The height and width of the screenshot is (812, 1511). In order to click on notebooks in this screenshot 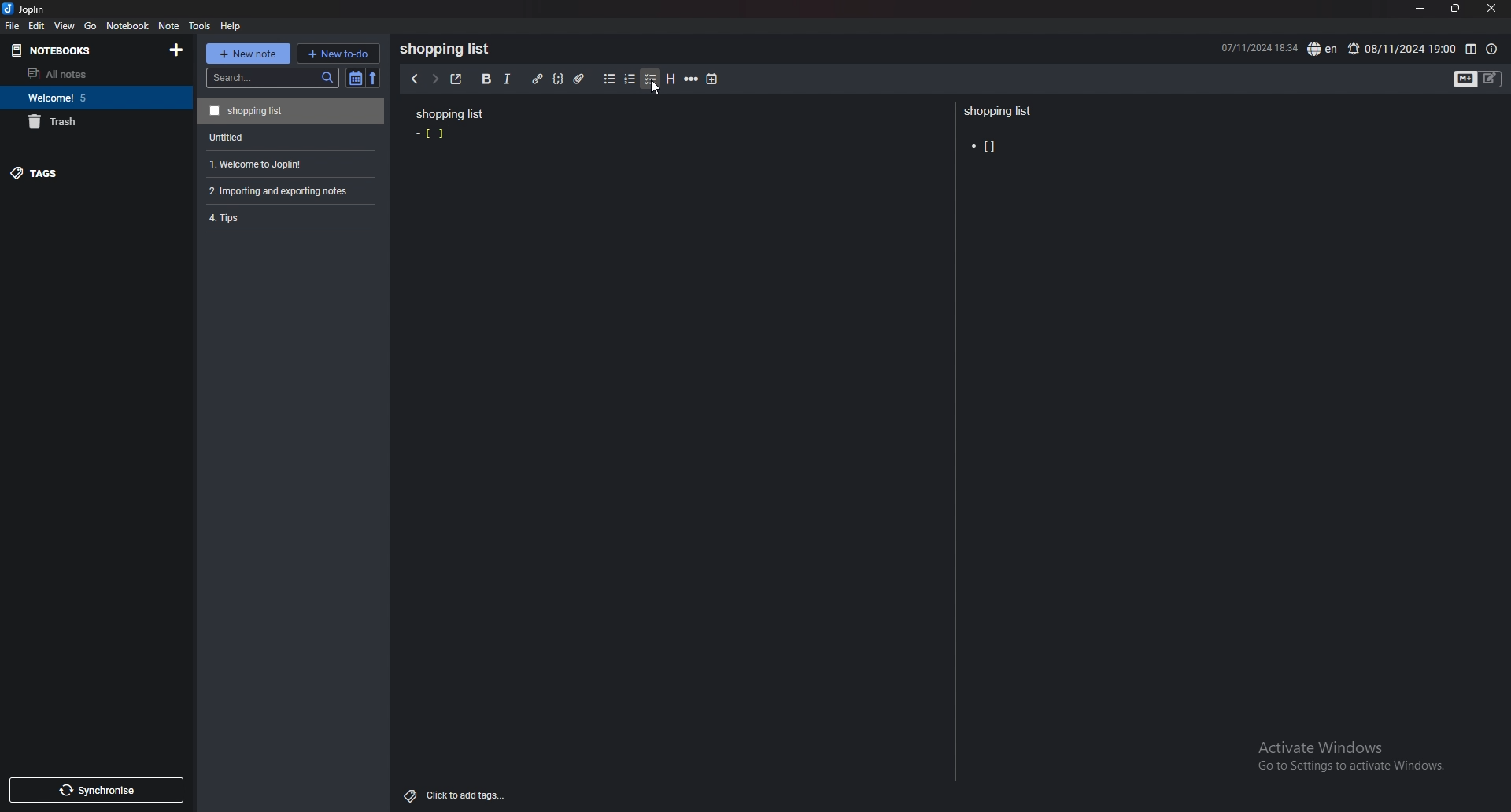, I will do `click(72, 51)`.